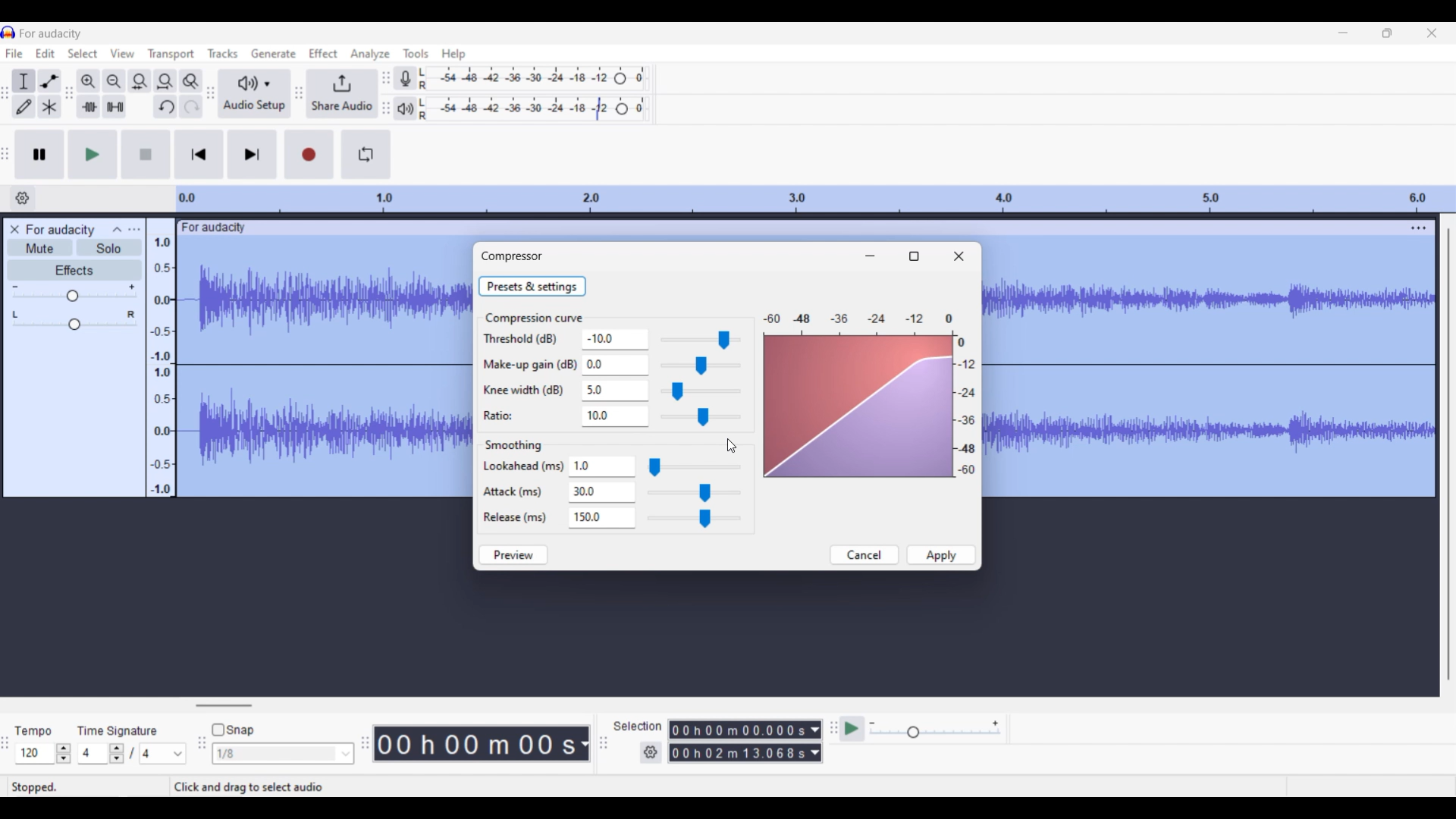 This screenshot has height=819, width=1456. Describe the element at coordinates (605, 516) in the screenshot. I see `Text box for release ` at that location.